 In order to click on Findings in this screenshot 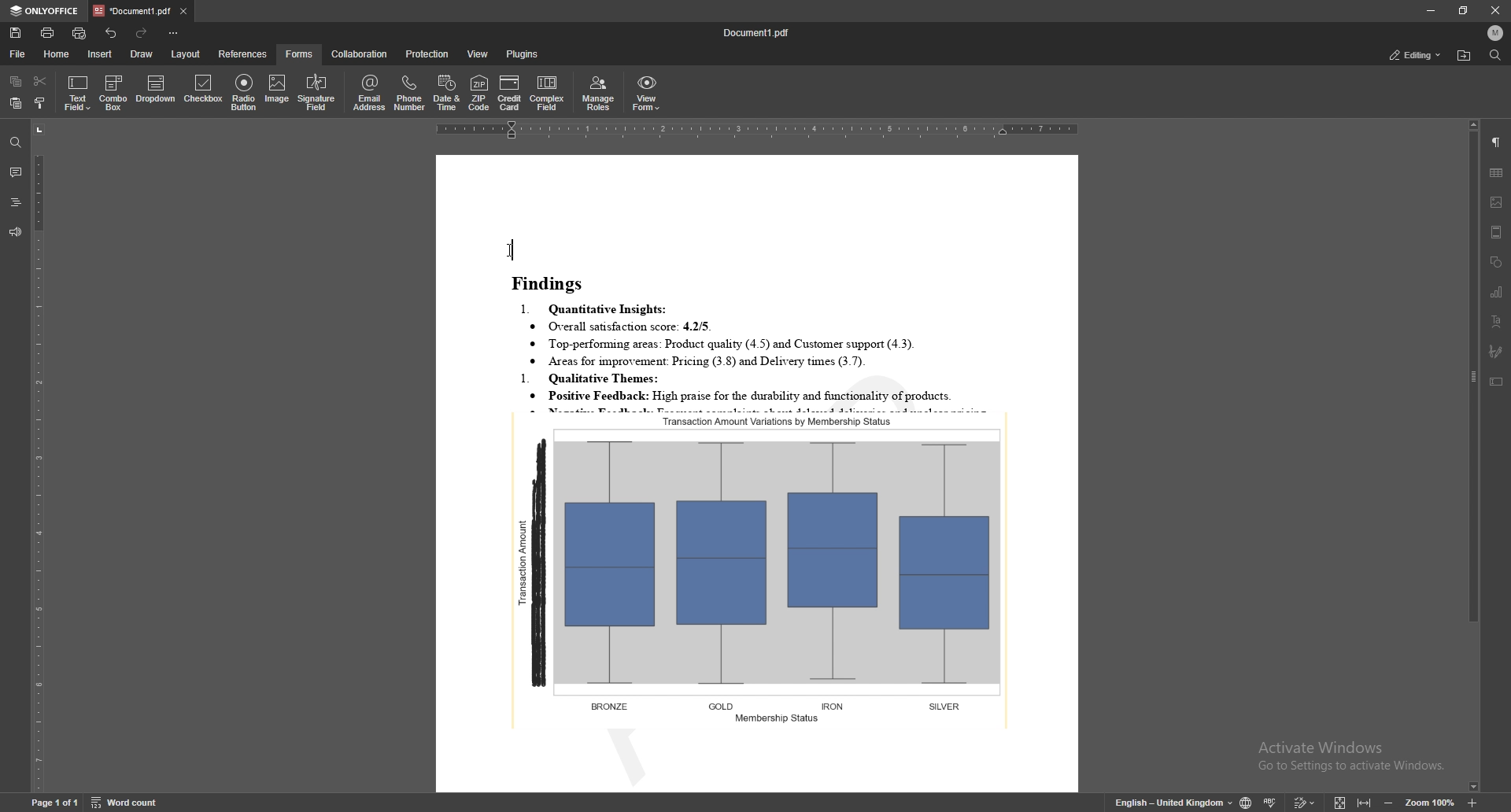, I will do `click(554, 284)`.